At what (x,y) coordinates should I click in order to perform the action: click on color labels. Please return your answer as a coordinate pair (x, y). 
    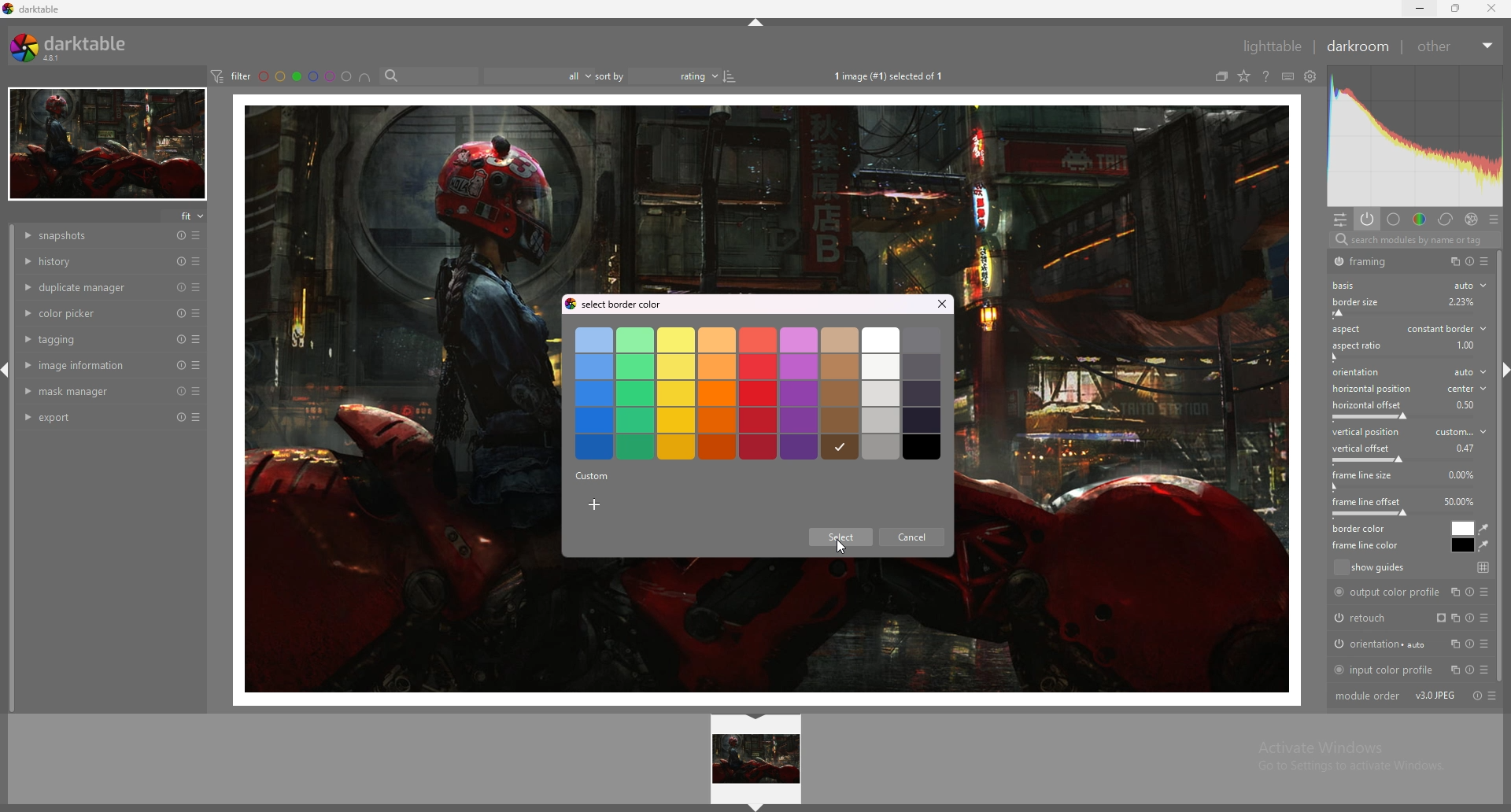
    Looking at the image, I should click on (306, 76).